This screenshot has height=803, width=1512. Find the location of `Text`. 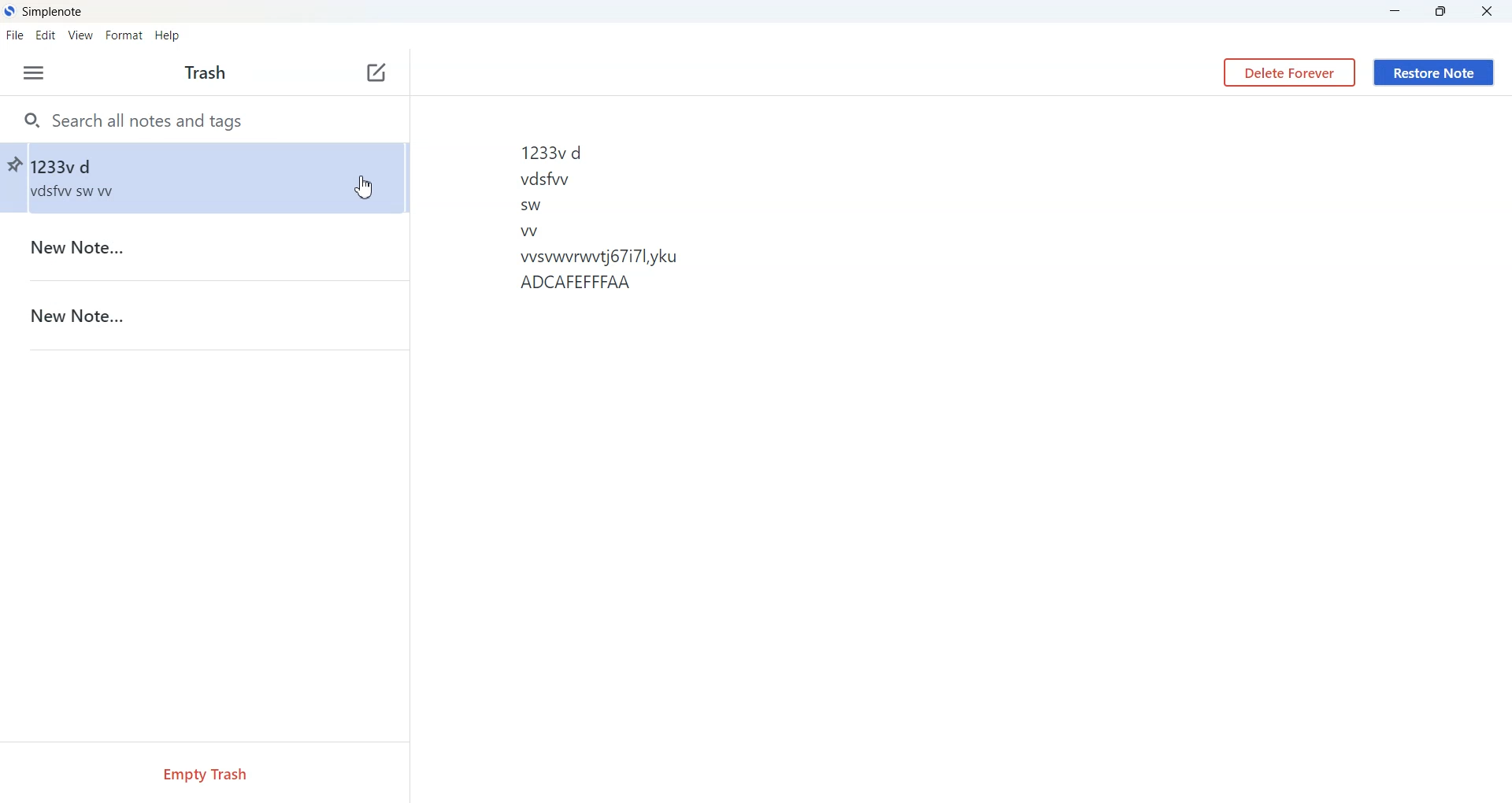

Text is located at coordinates (206, 74).